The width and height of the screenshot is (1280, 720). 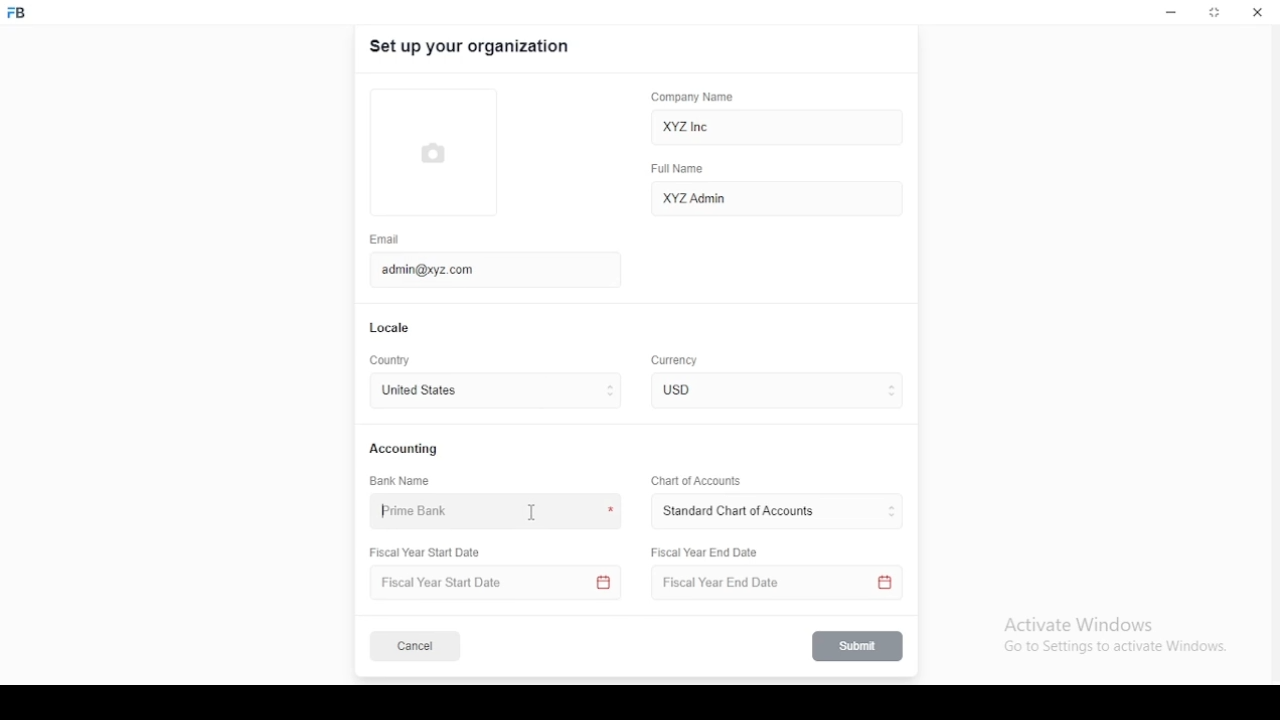 I want to click on minimize, so click(x=1171, y=13).